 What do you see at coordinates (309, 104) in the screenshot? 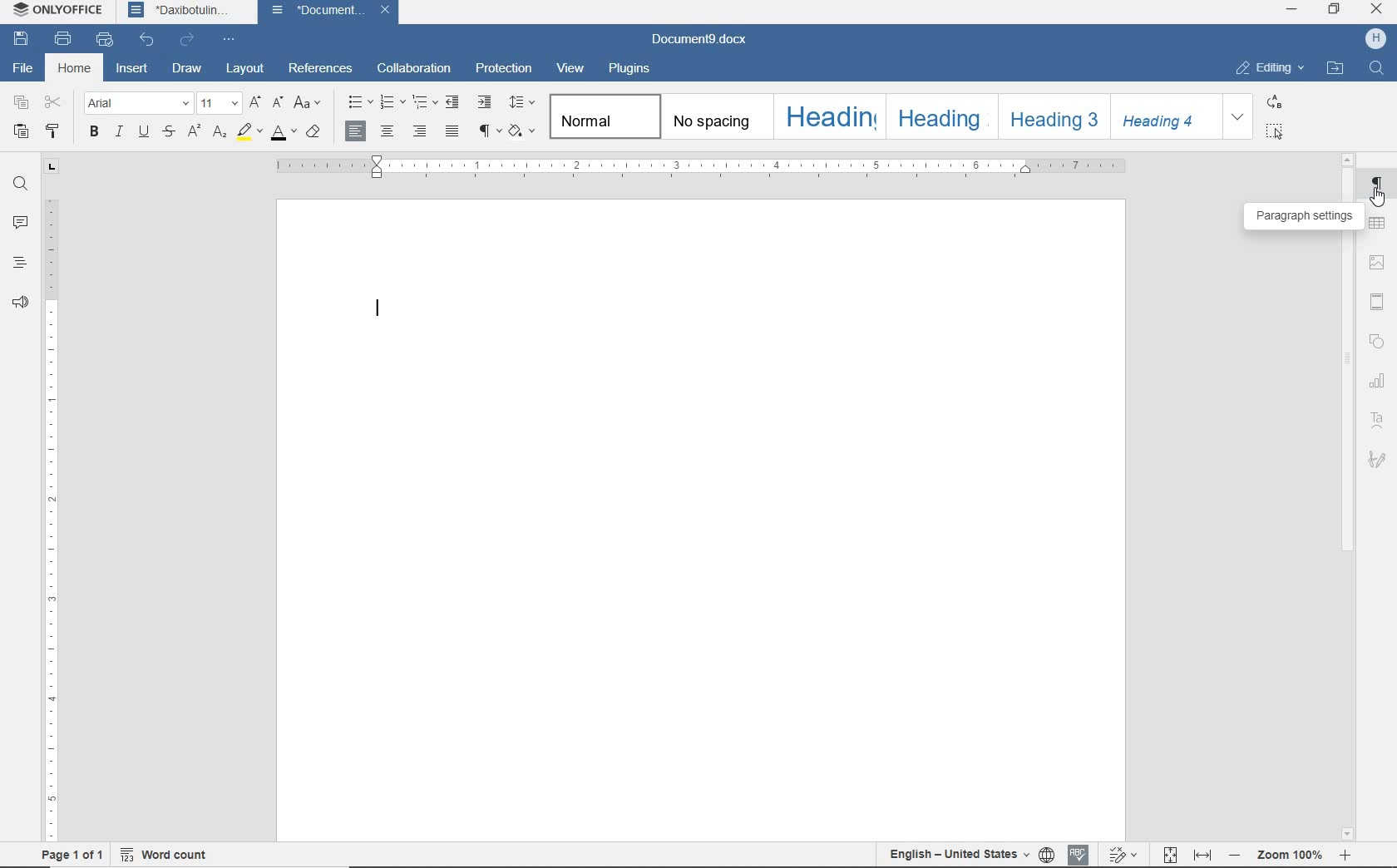
I see `change case` at bounding box center [309, 104].